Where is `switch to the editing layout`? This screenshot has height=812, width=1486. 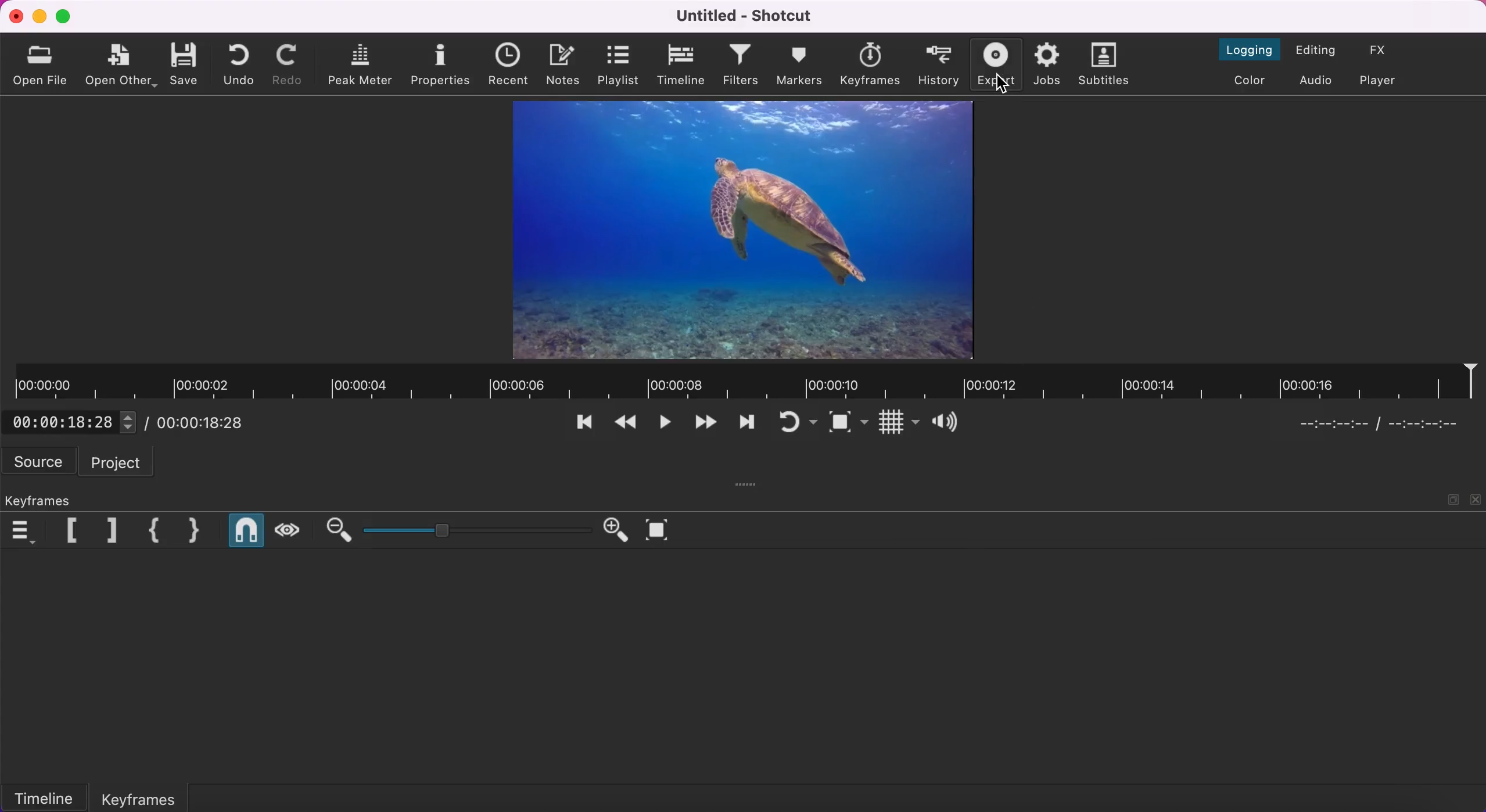
switch to the editing layout is located at coordinates (1317, 51).